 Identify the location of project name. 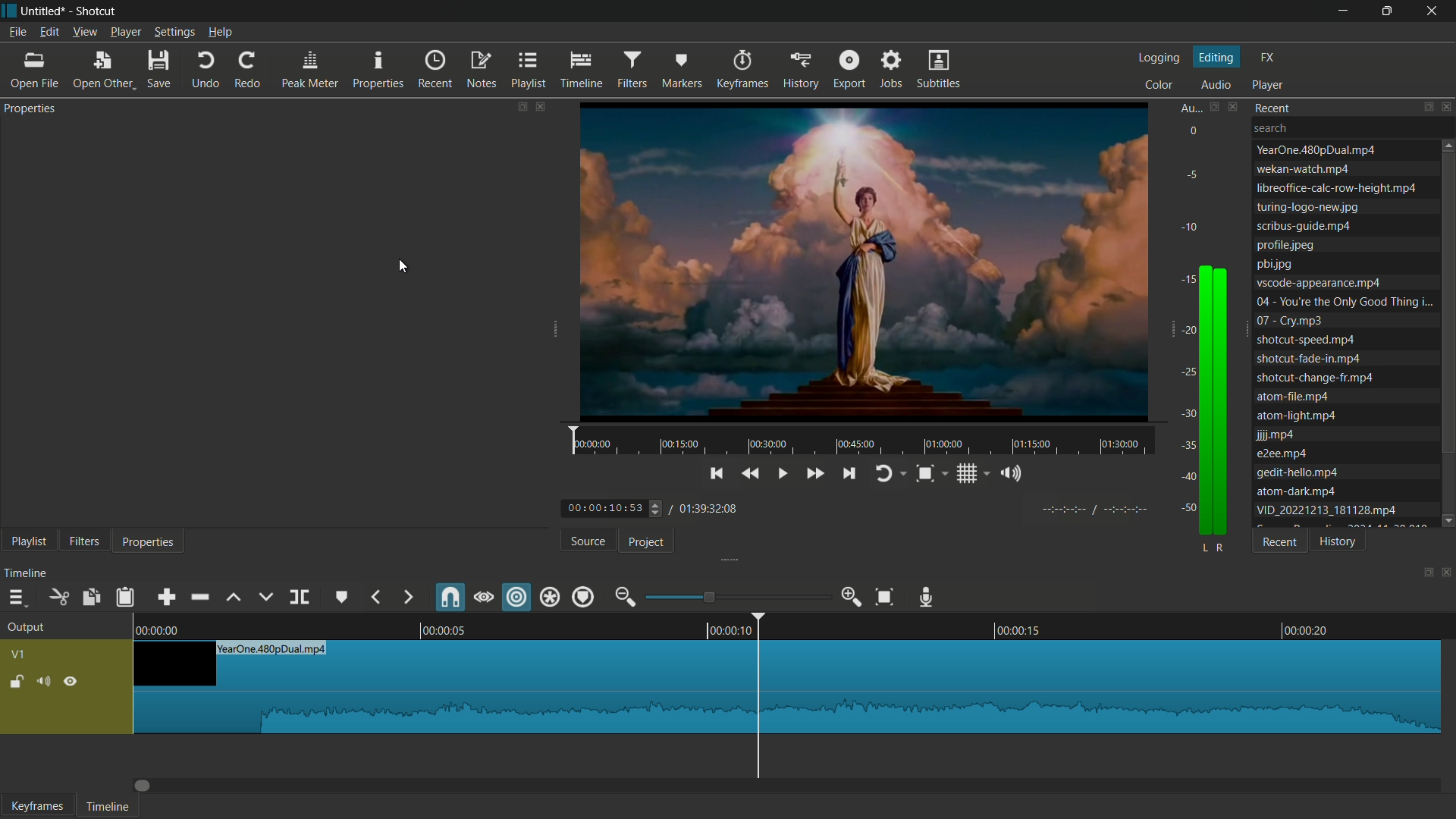
(45, 11).